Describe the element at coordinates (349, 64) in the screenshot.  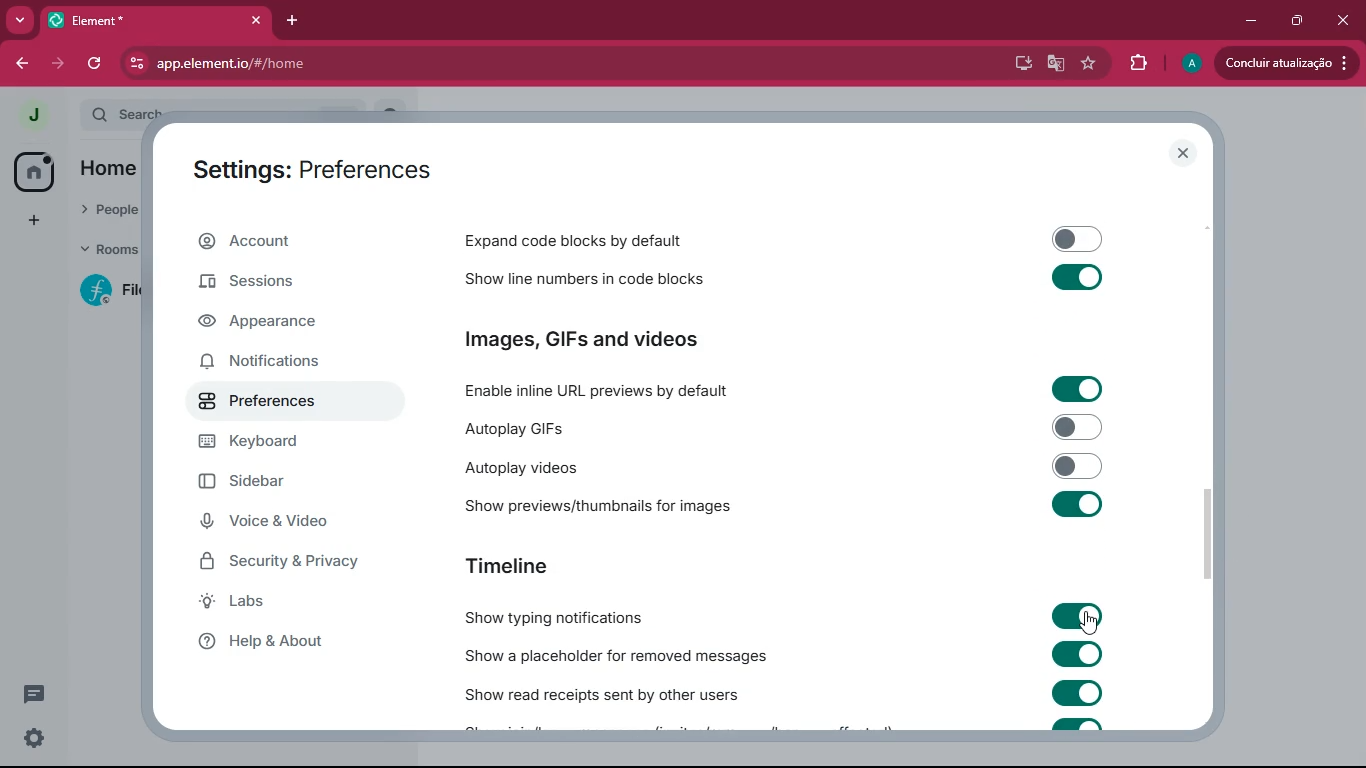
I see `app.element.io/#/home` at that location.